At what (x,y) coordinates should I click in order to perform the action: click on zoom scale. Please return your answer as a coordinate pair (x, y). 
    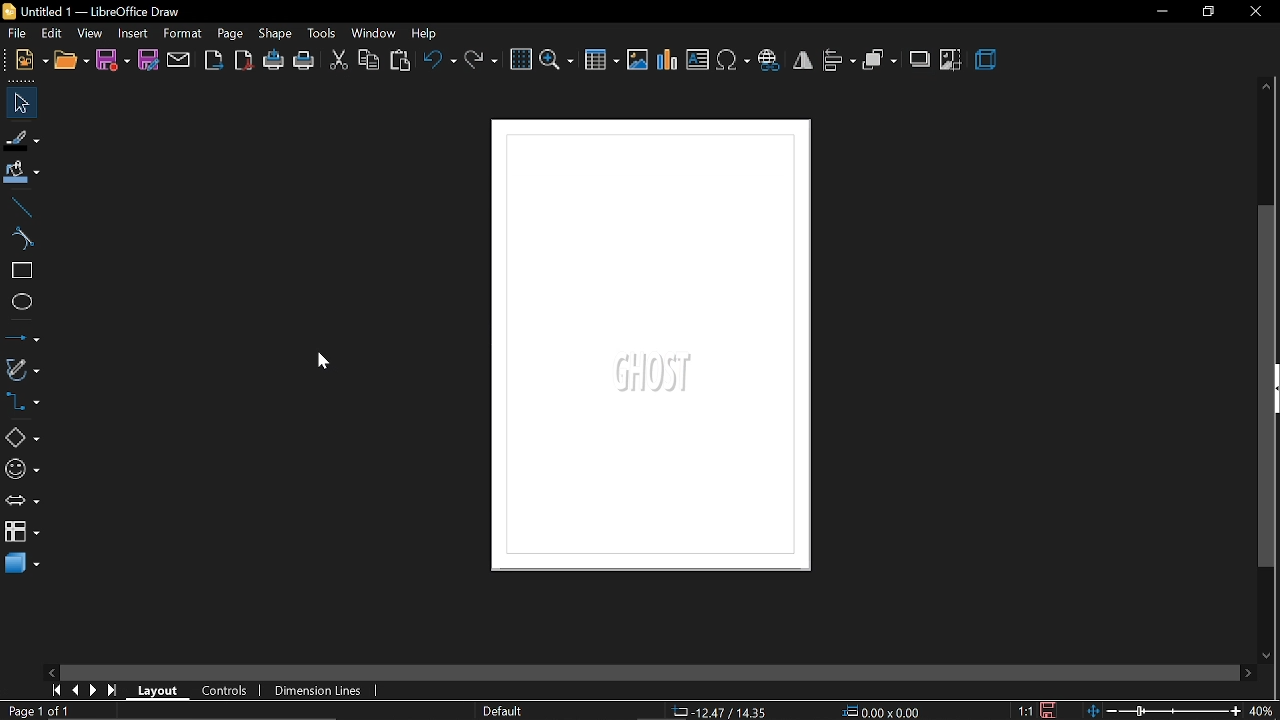
    Looking at the image, I should click on (1163, 711).